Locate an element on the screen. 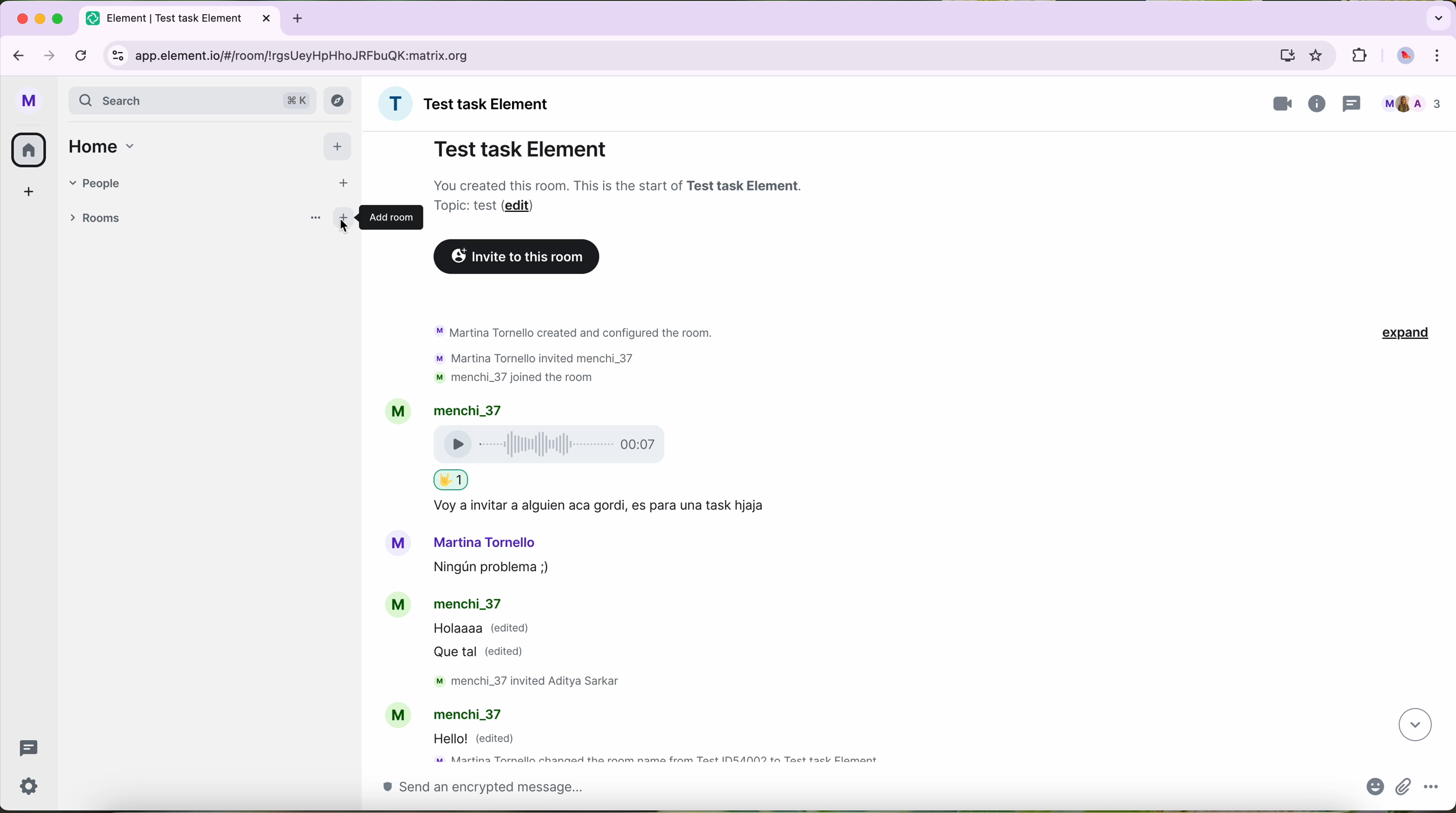 The image size is (1456, 813). navigate back is located at coordinates (15, 53).